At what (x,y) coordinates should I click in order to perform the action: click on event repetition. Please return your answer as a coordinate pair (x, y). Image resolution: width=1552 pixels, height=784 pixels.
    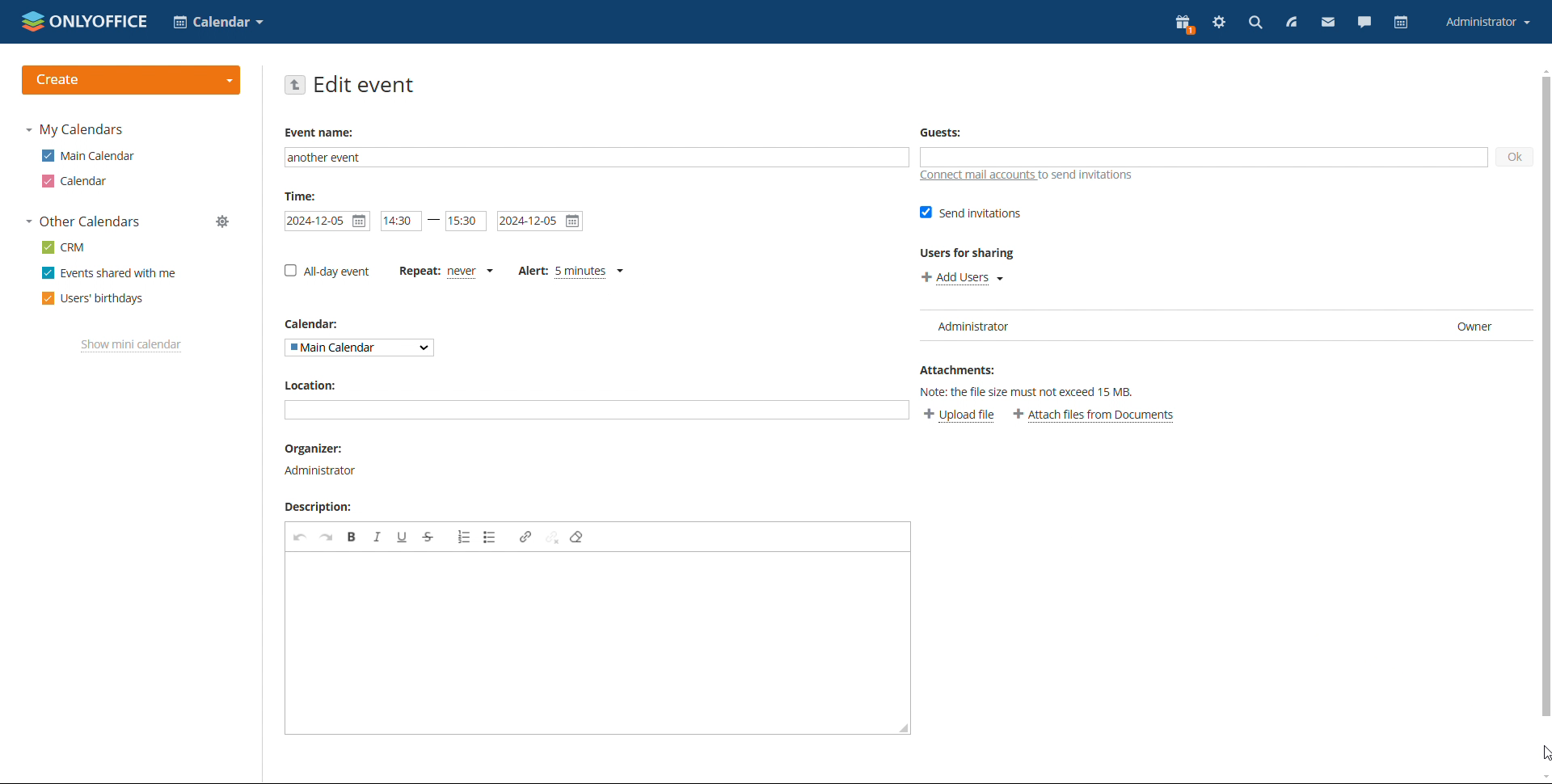
    Looking at the image, I should click on (446, 272).